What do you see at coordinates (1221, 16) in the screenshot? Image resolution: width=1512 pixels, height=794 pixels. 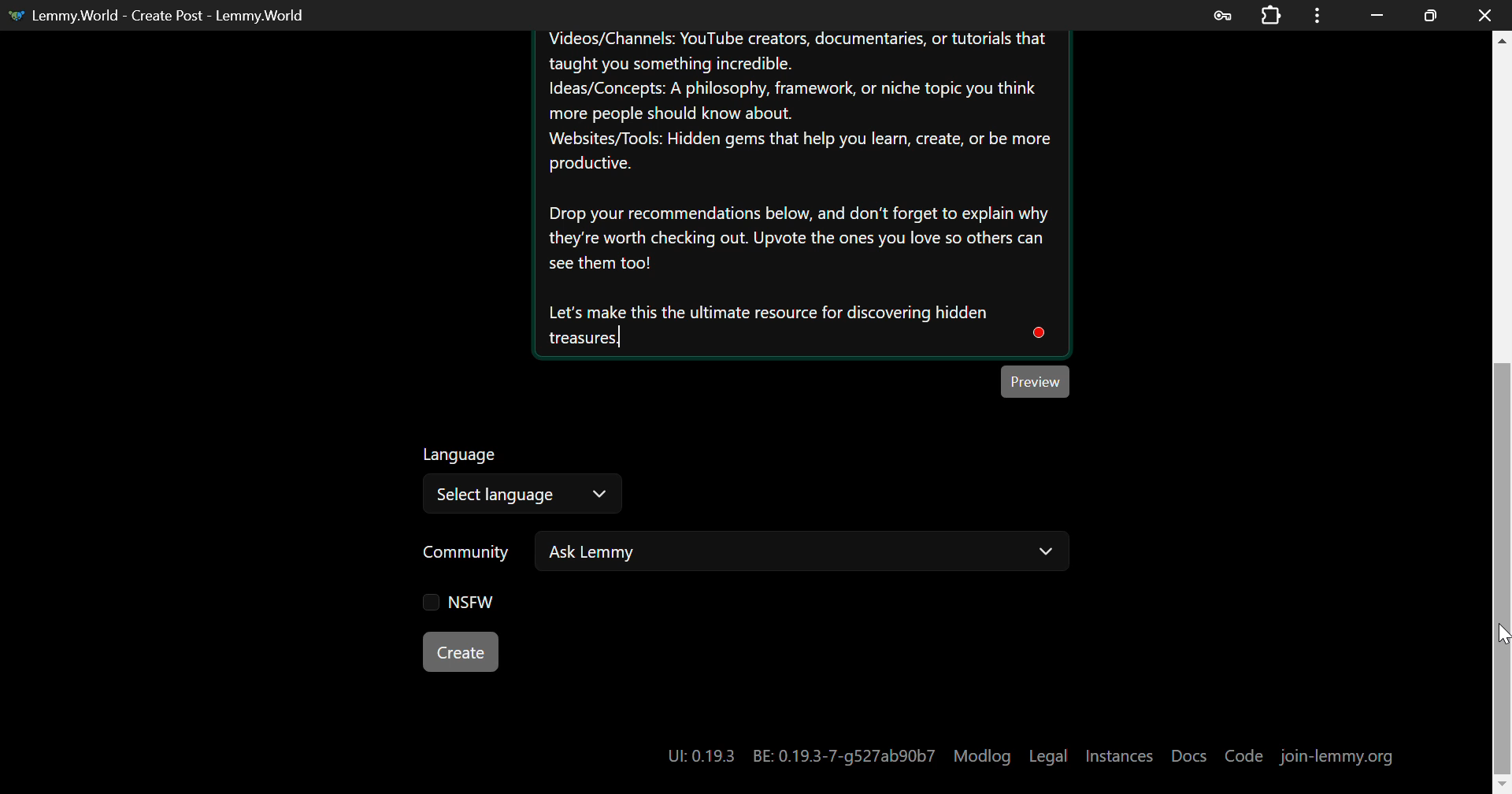 I see `Saved Password Data` at bounding box center [1221, 16].